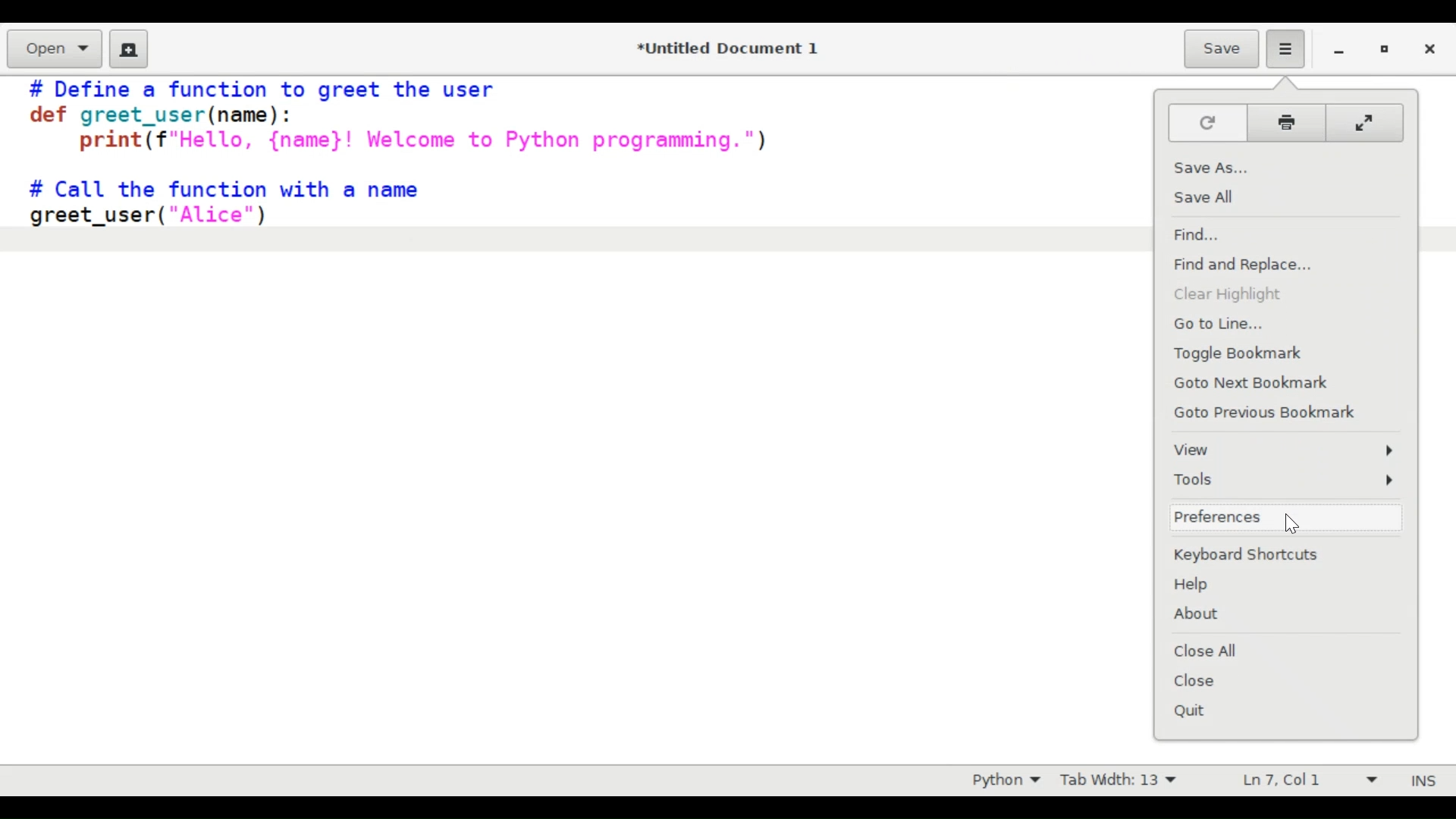 The width and height of the screenshot is (1456, 819). Describe the element at coordinates (1280, 779) in the screenshot. I see `Cursor Position` at that location.